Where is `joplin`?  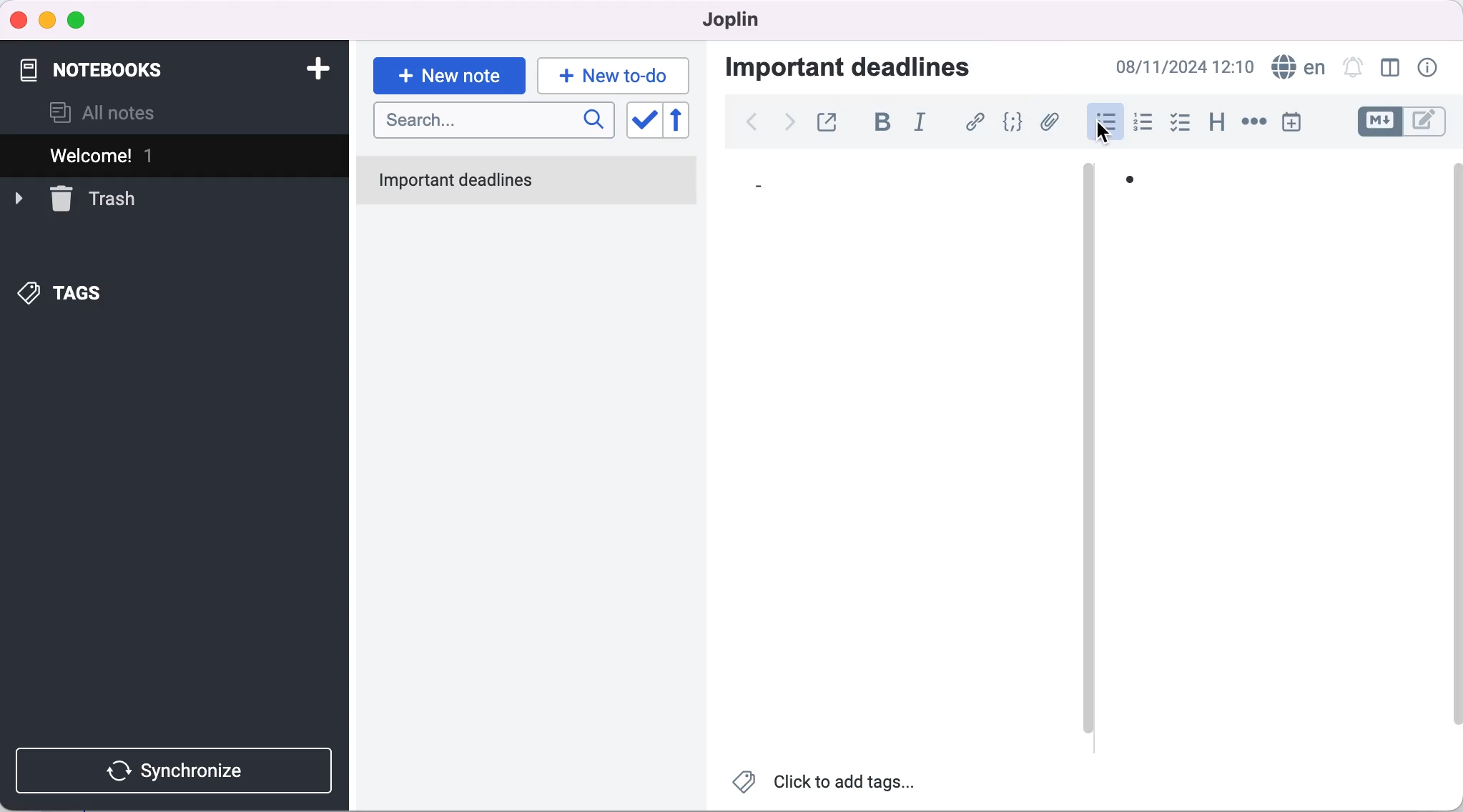 joplin is located at coordinates (735, 21).